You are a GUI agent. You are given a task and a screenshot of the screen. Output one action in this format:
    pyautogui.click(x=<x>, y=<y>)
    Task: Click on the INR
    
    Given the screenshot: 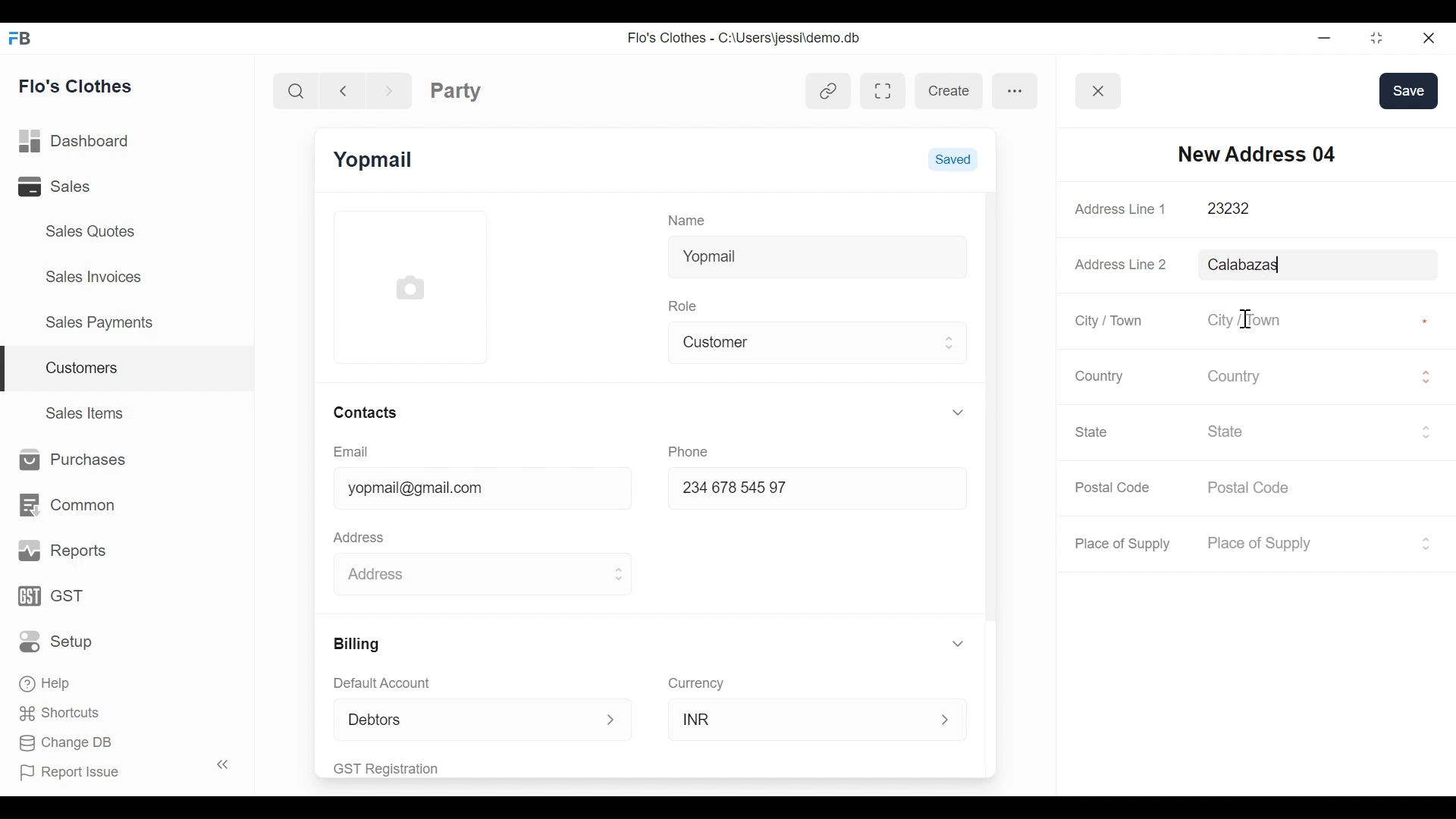 What is the action you would take?
    pyautogui.click(x=801, y=718)
    